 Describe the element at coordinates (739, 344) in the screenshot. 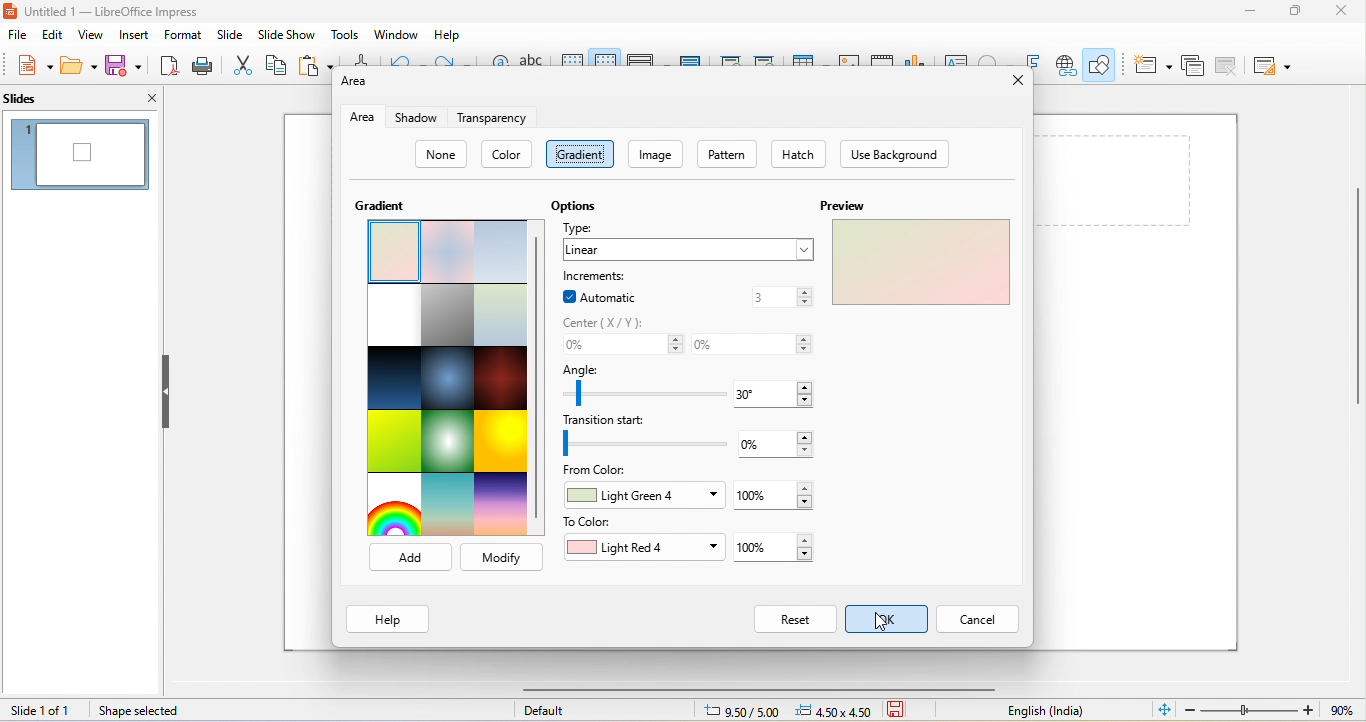

I see `0%` at that location.